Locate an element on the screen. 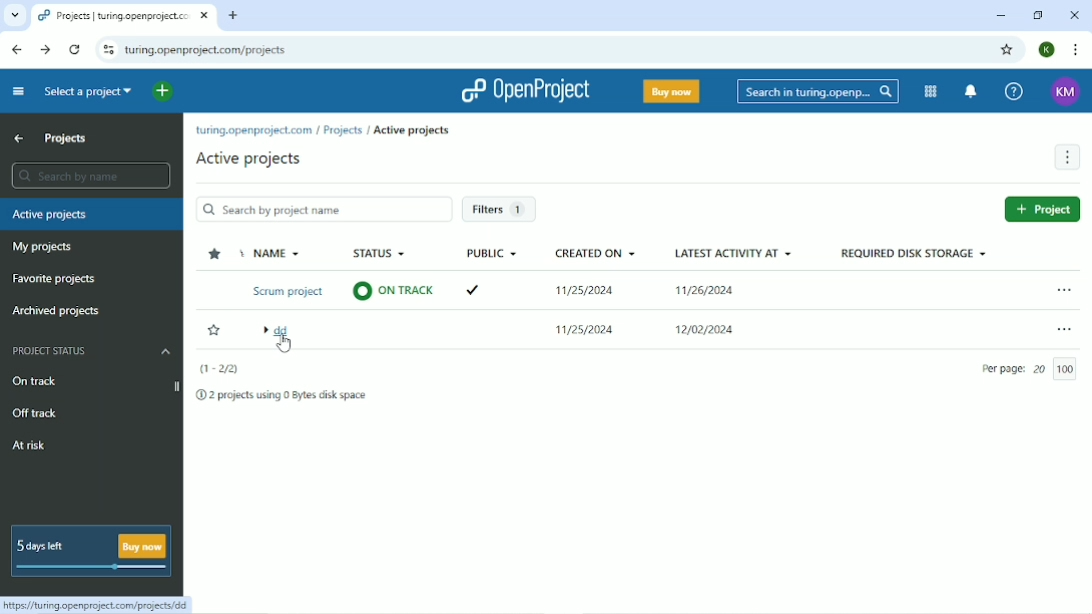 The image size is (1092, 614). Add to favorites is located at coordinates (215, 331).